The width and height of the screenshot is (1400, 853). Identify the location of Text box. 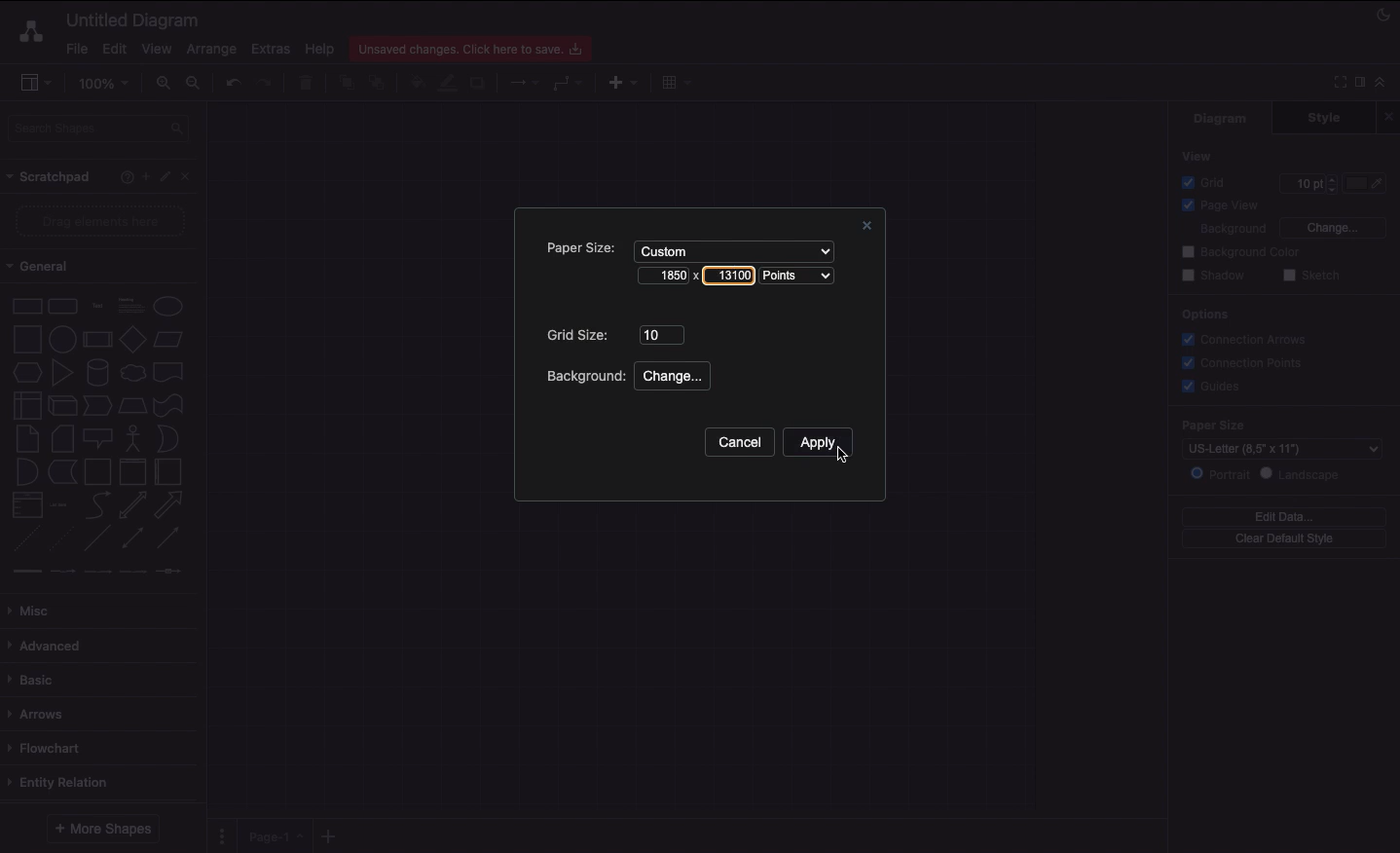
(129, 306).